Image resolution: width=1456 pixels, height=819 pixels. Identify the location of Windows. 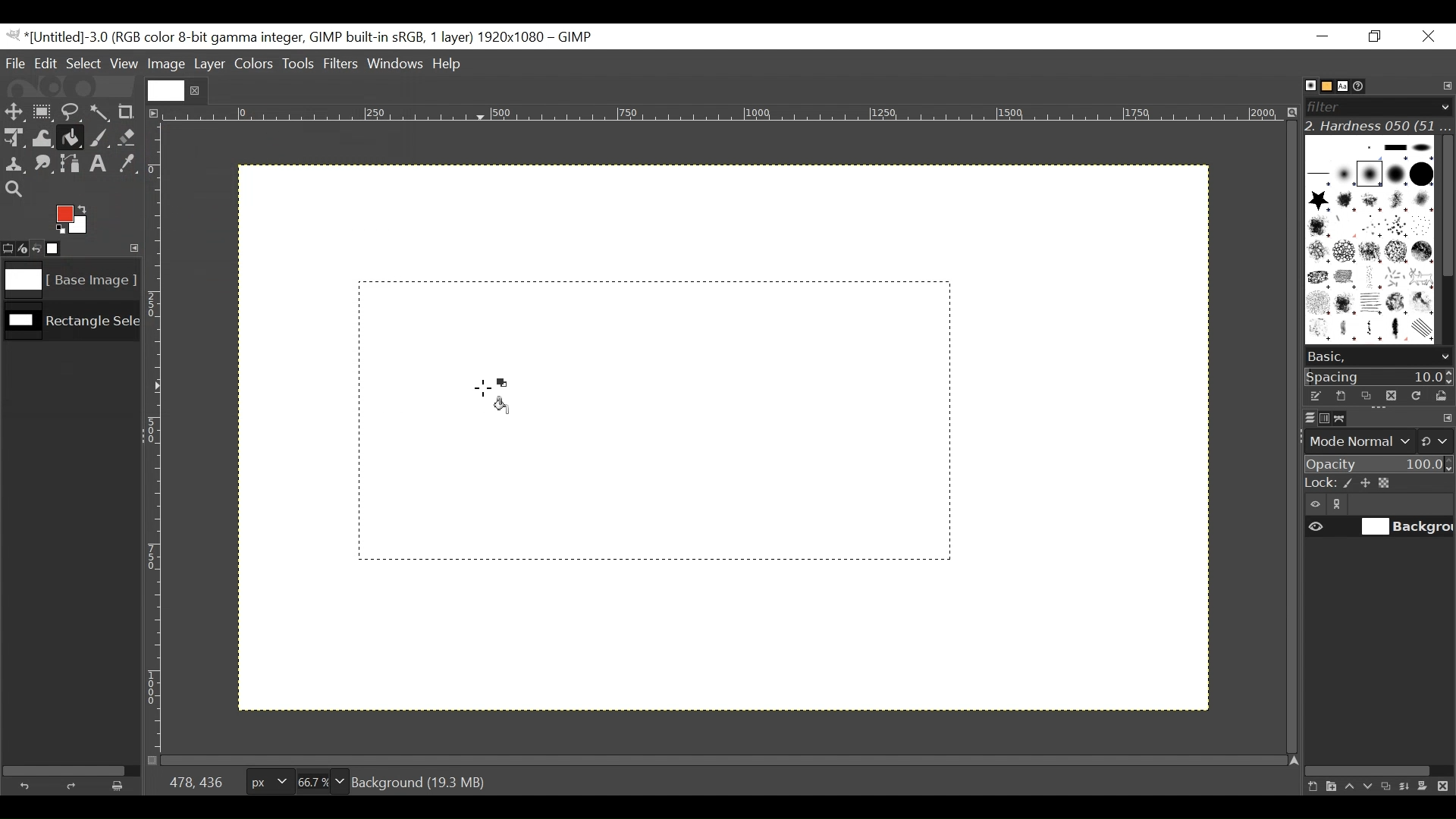
(397, 65).